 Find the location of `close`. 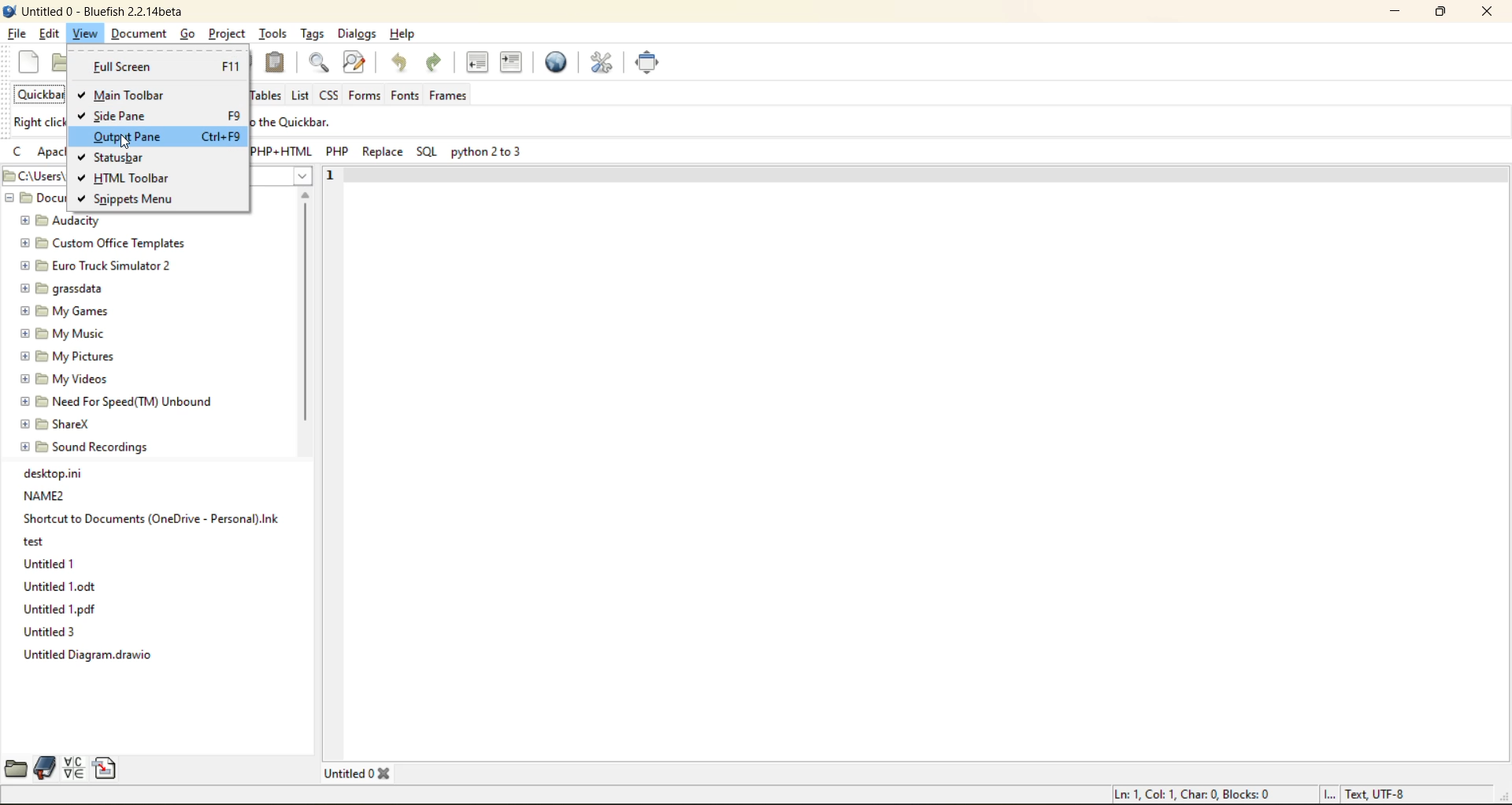

close is located at coordinates (1489, 13).